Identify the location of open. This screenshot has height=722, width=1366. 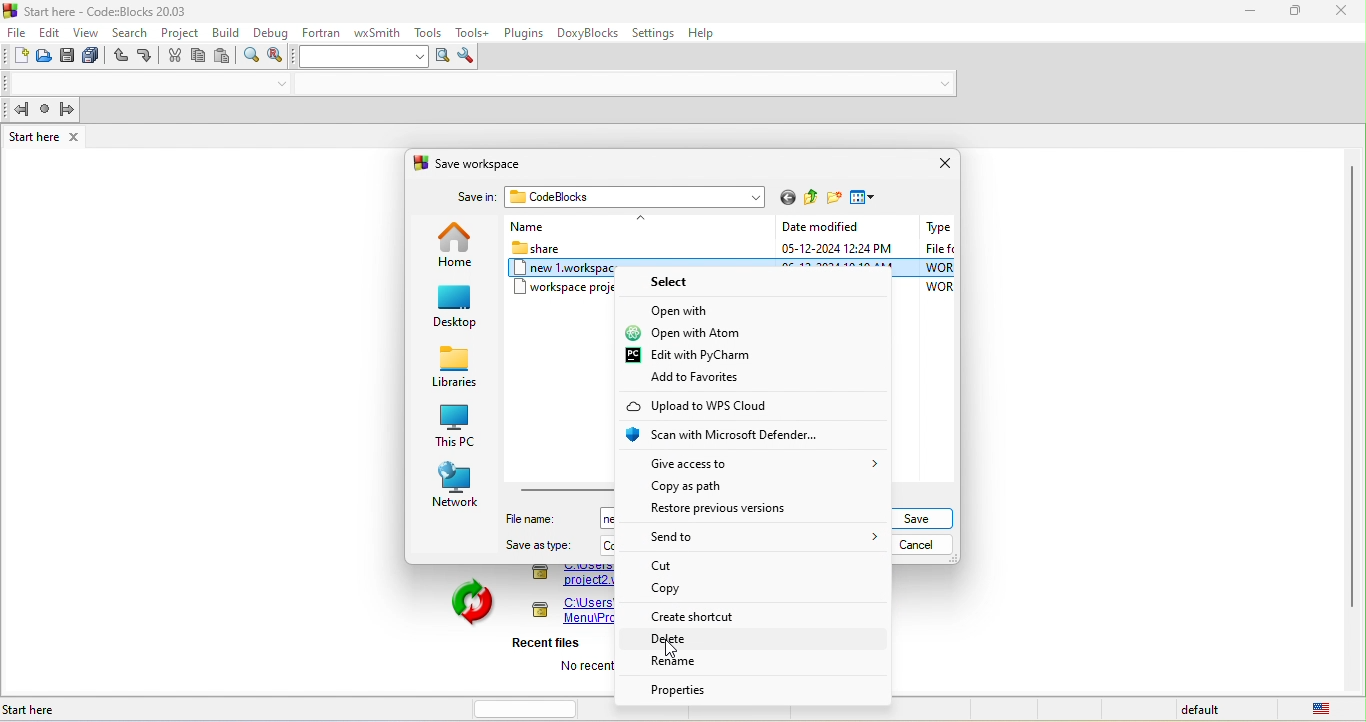
(46, 59).